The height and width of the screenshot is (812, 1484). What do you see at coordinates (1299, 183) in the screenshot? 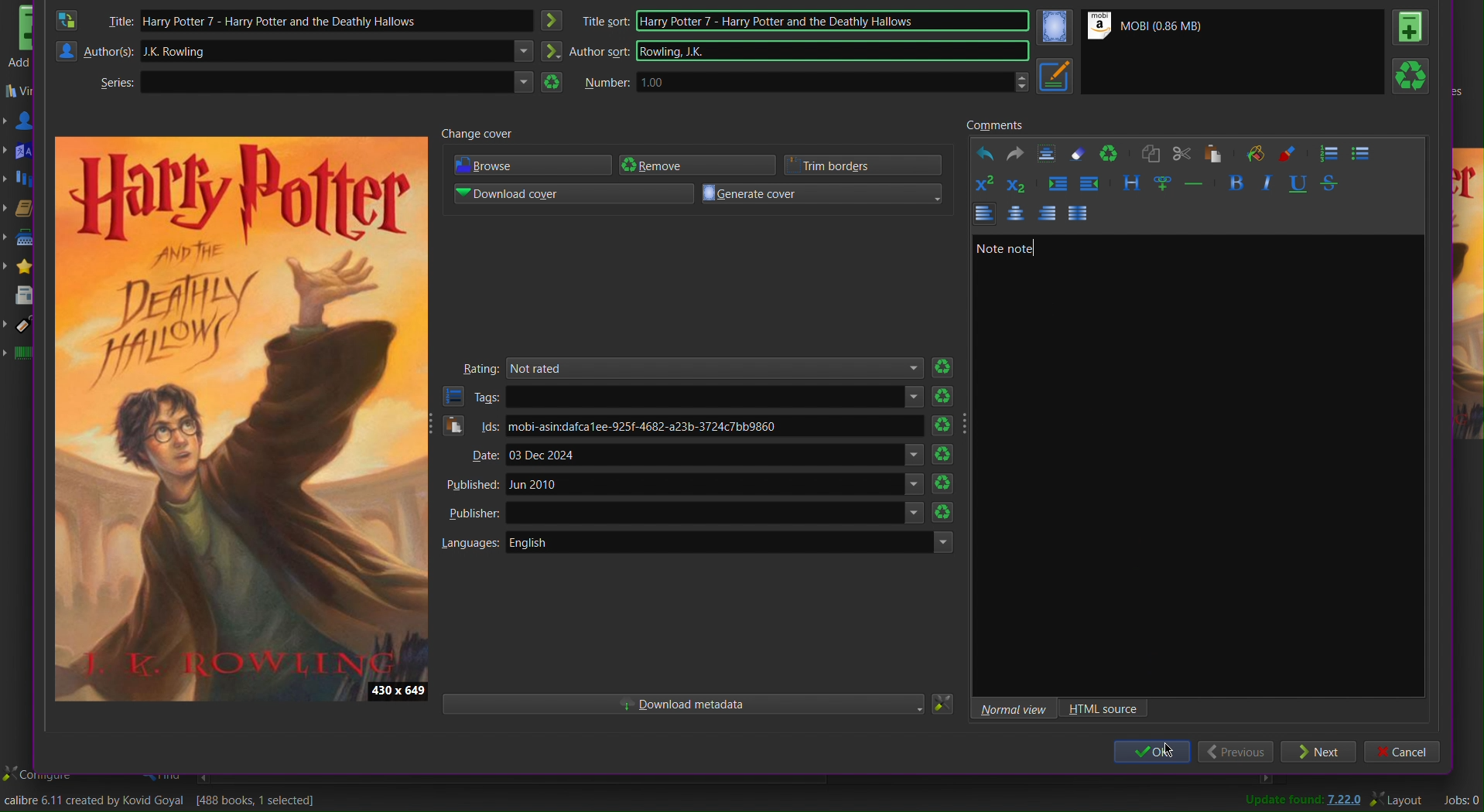
I see `Underline` at bounding box center [1299, 183].